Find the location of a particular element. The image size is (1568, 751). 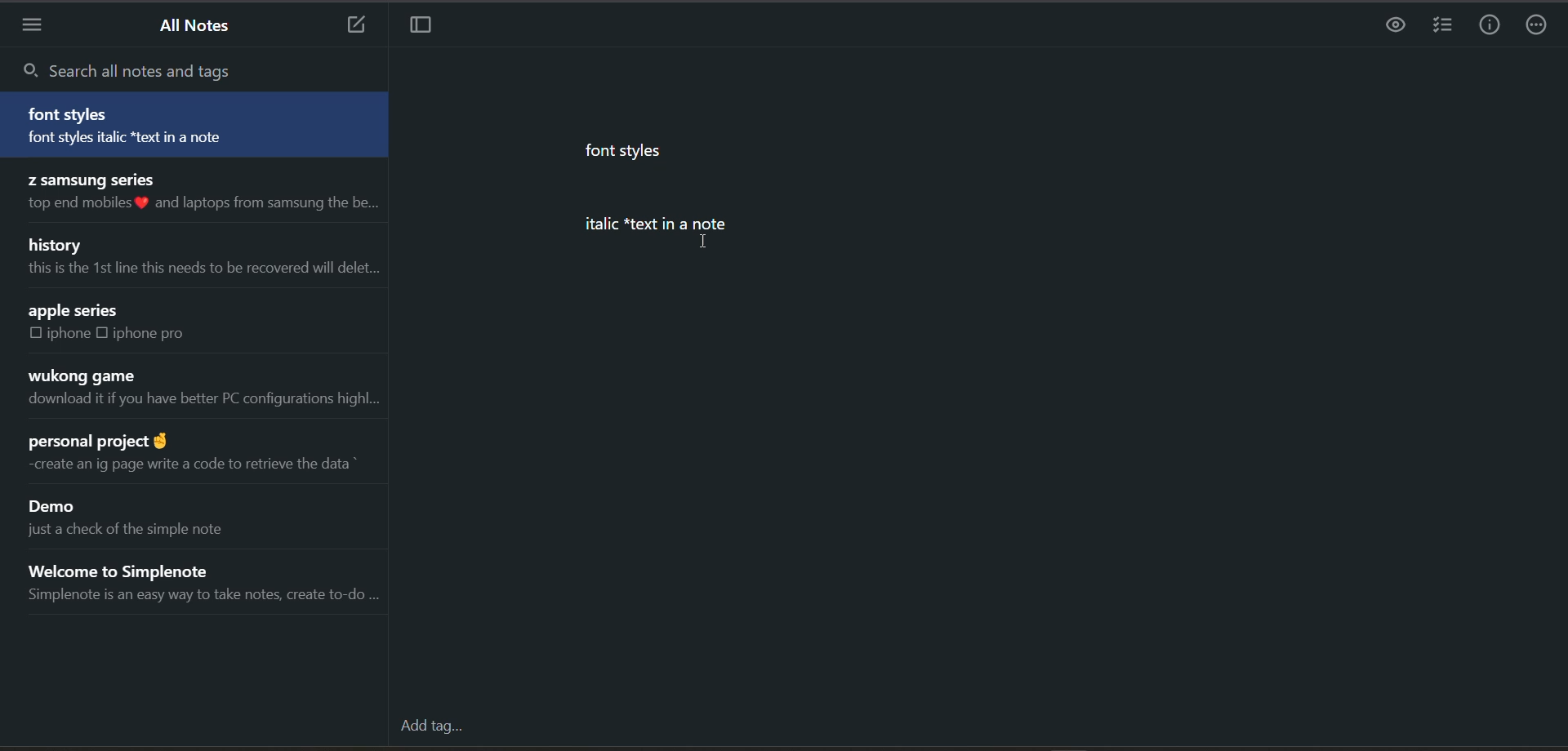

add new note is located at coordinates (354, 26).